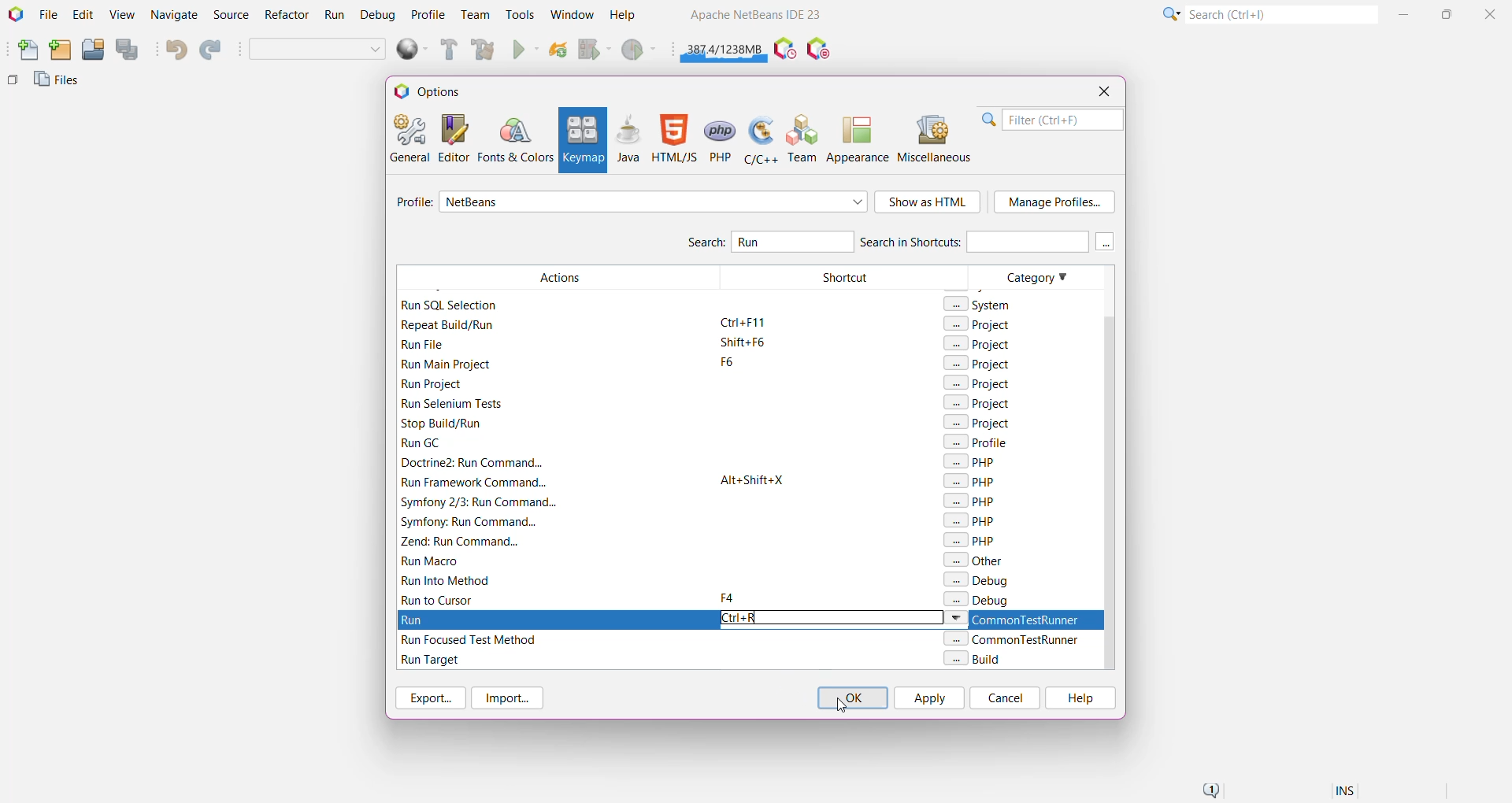 This screenshot has height=803, width=1512. What do you see at coordinates (1103, 91) in the screenshot?
I see `Close` at bounding box center [1103, 91].